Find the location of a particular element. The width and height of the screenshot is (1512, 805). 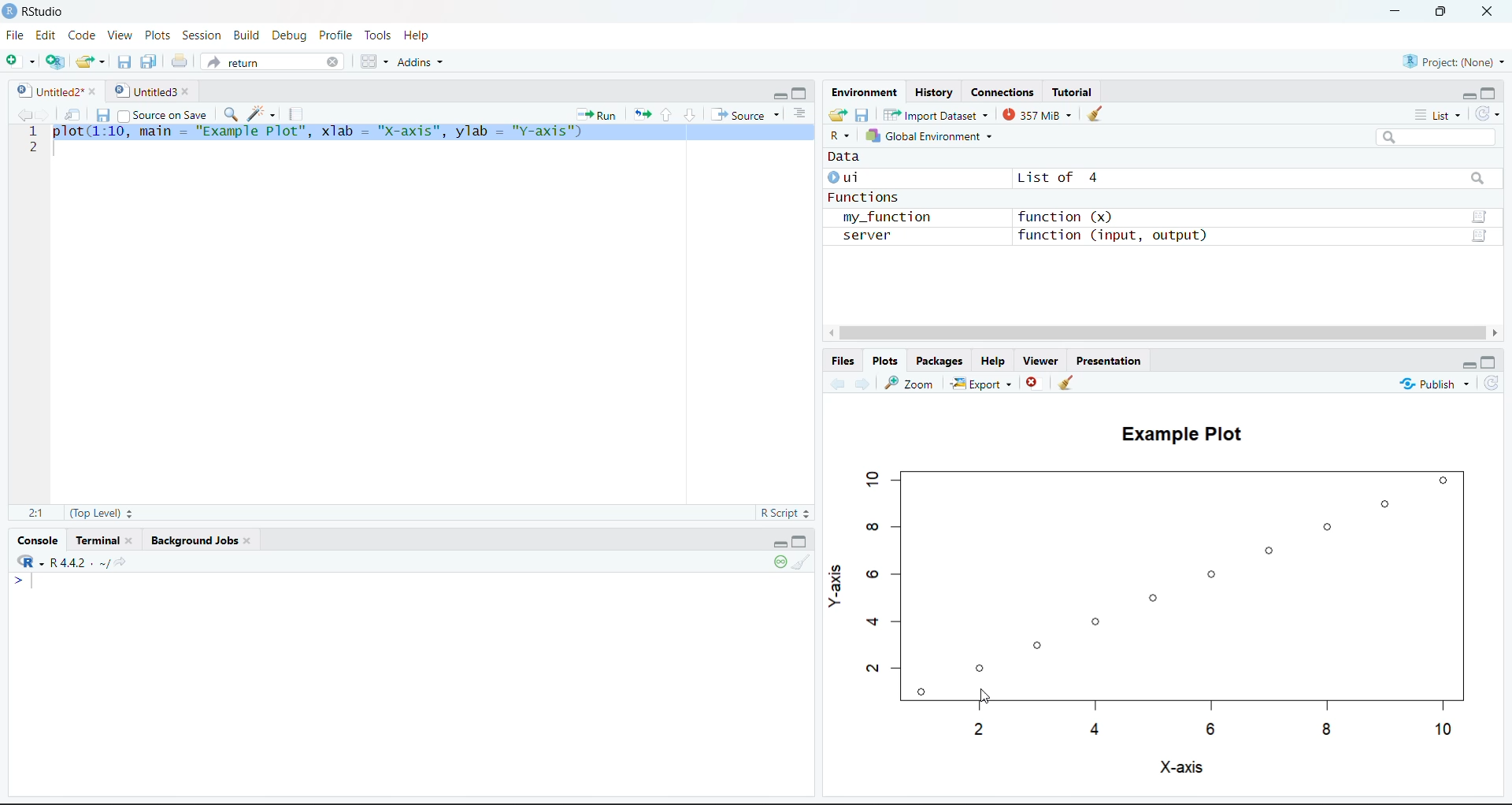

Go forward to the next source location (Ctrl + F10) is located at coordinates (45, 112).